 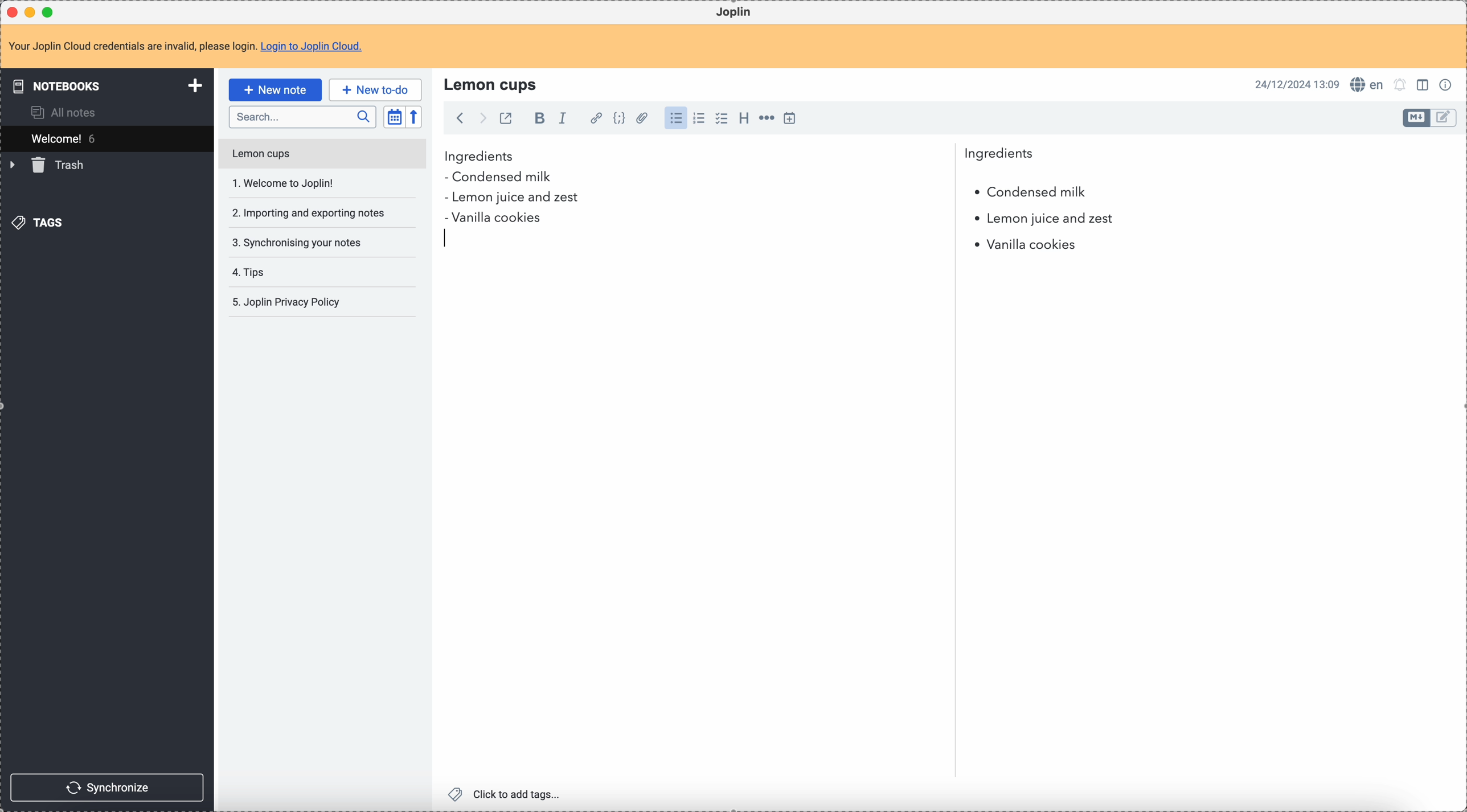 What do you see at coordinates (1444, 118) in the screenshot?
I see `toggle edit layout` at bounding box center [1444, 118].